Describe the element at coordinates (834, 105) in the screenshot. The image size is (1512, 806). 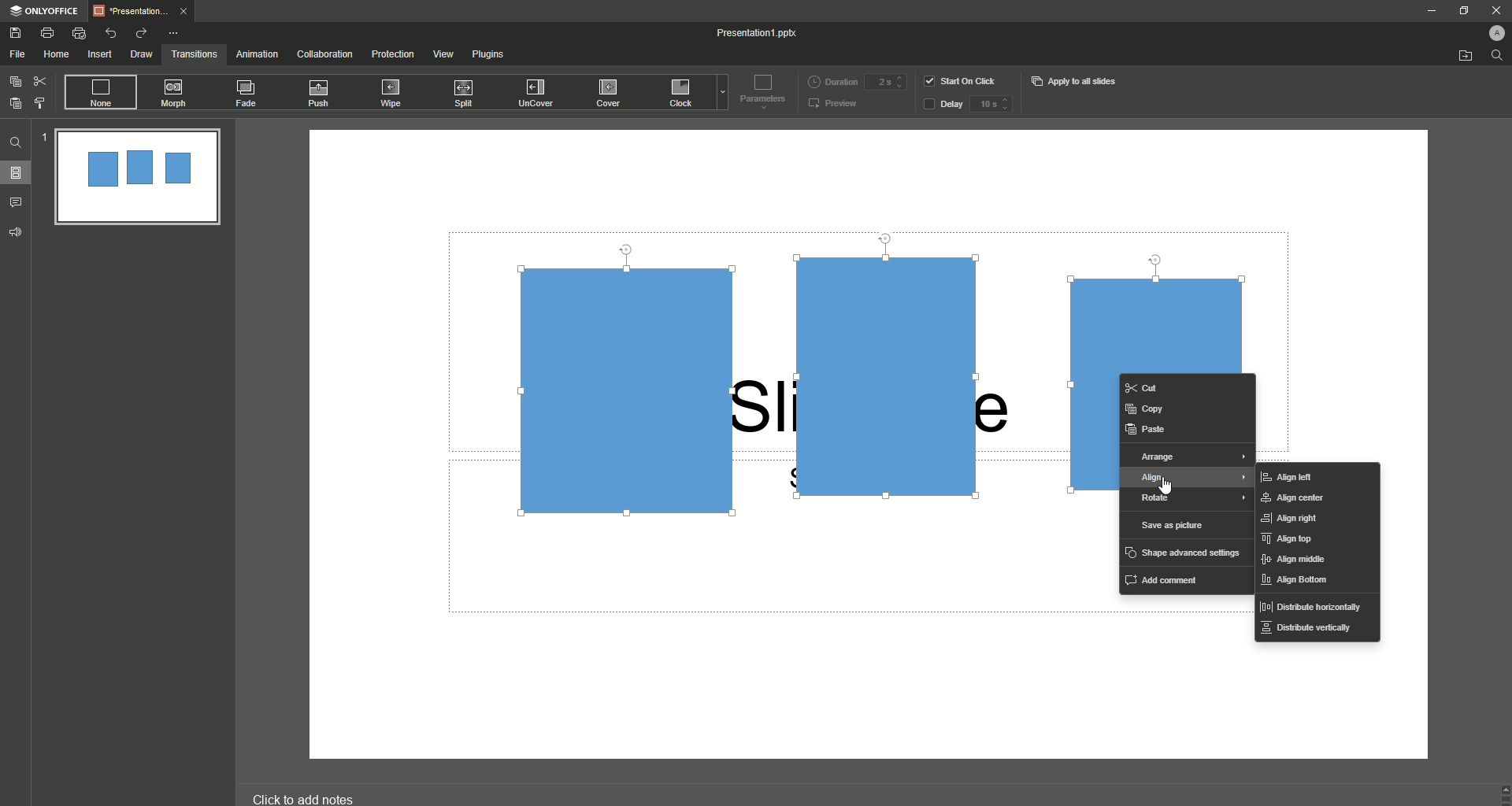
I see `Preview` at that location.